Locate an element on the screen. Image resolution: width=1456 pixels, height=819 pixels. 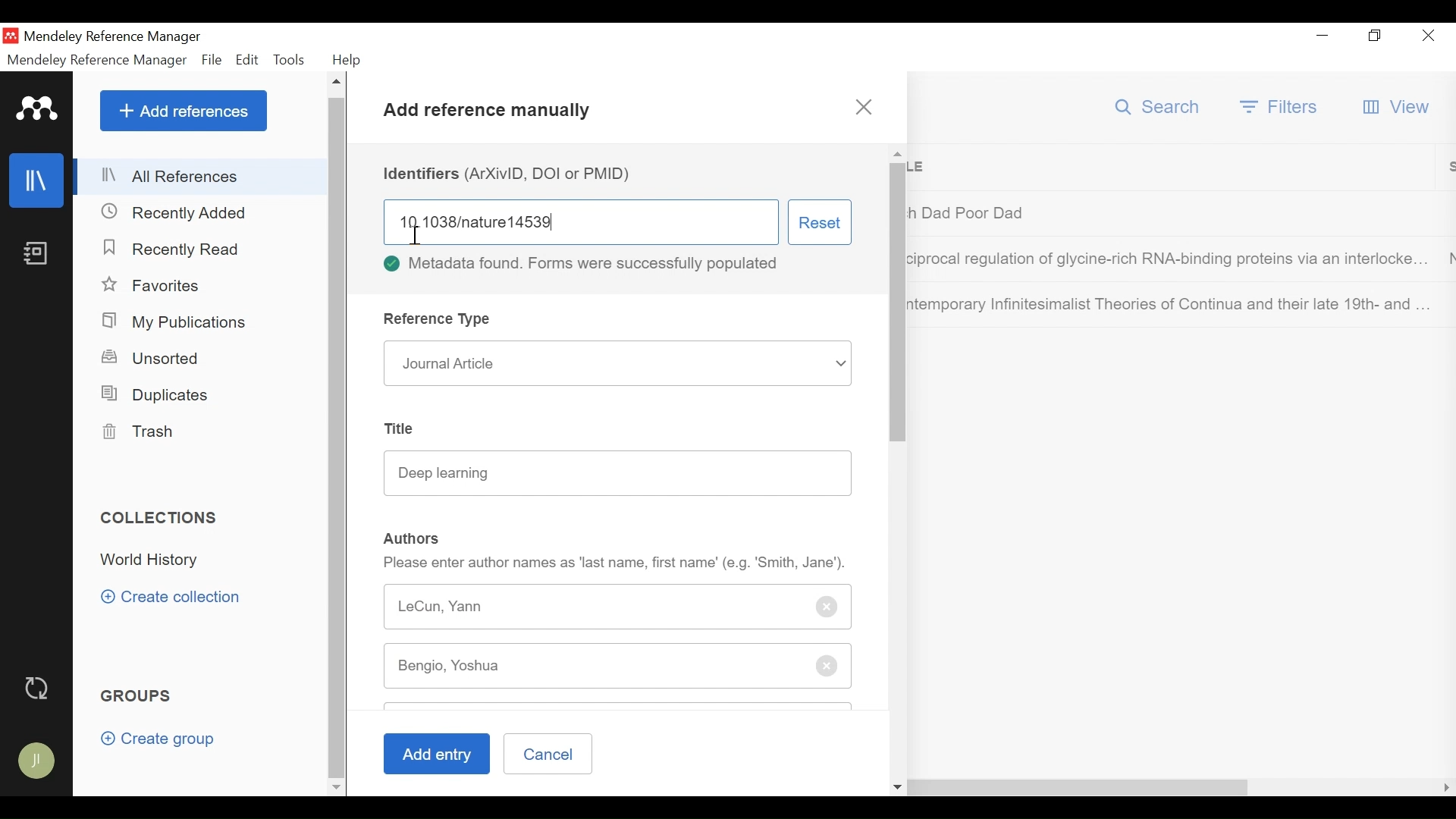
Add Entry is located at coordinates (435, 755).